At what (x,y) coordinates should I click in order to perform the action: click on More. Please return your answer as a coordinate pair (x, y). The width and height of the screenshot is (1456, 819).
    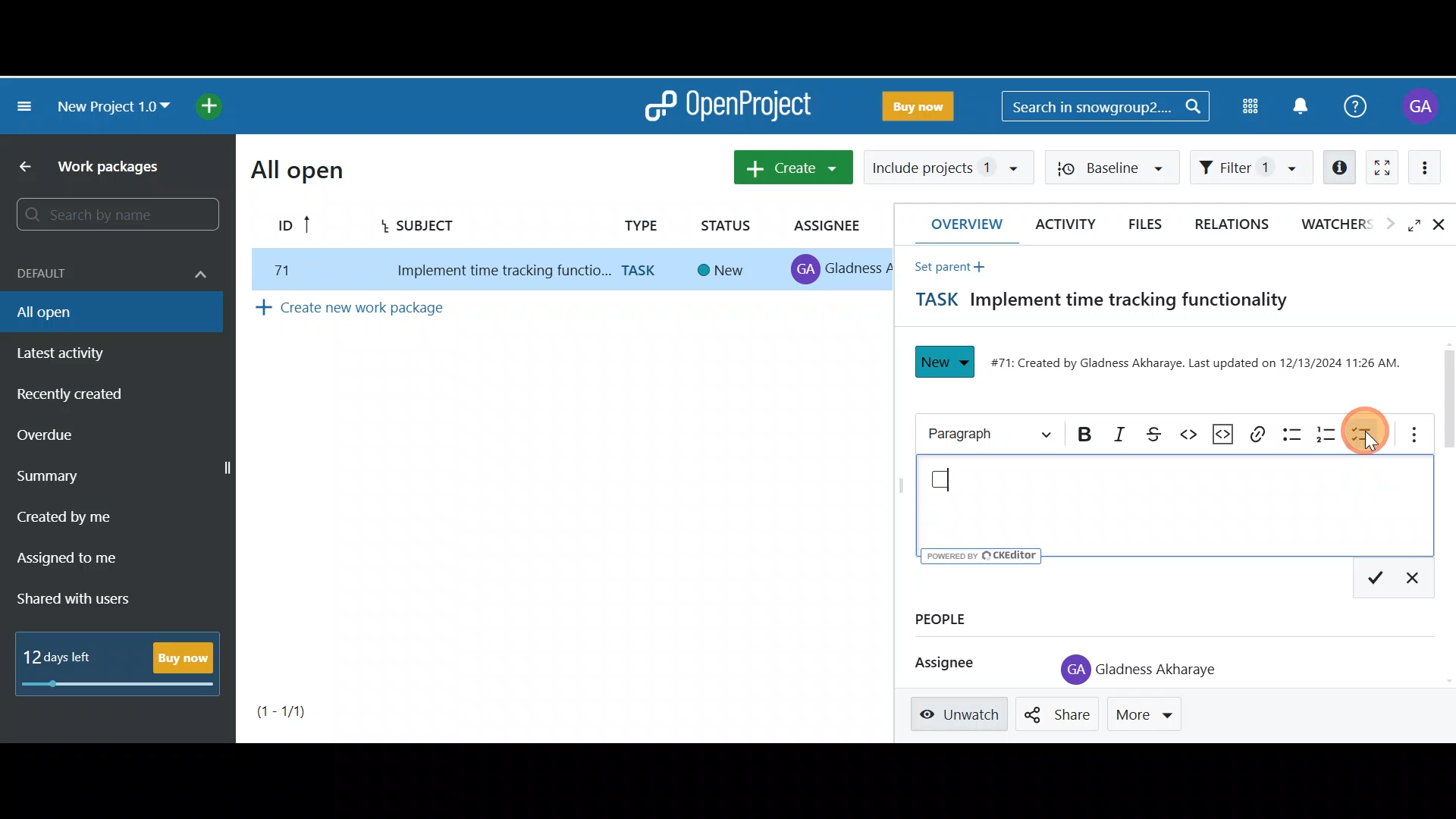
    Looking at the image, I should click on (1150, 711).